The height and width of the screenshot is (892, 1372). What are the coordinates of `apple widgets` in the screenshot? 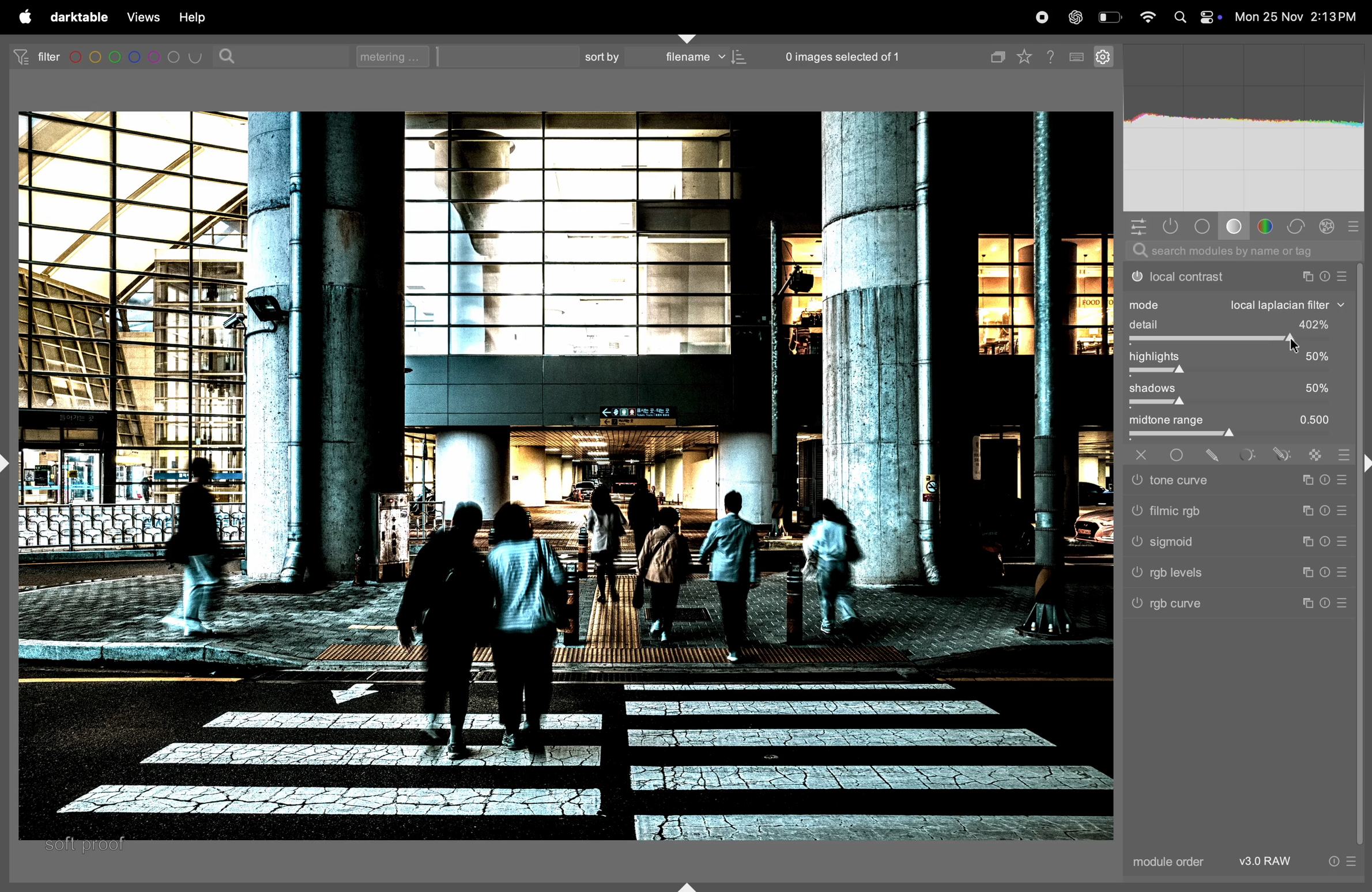 It's located at (1211, 17).